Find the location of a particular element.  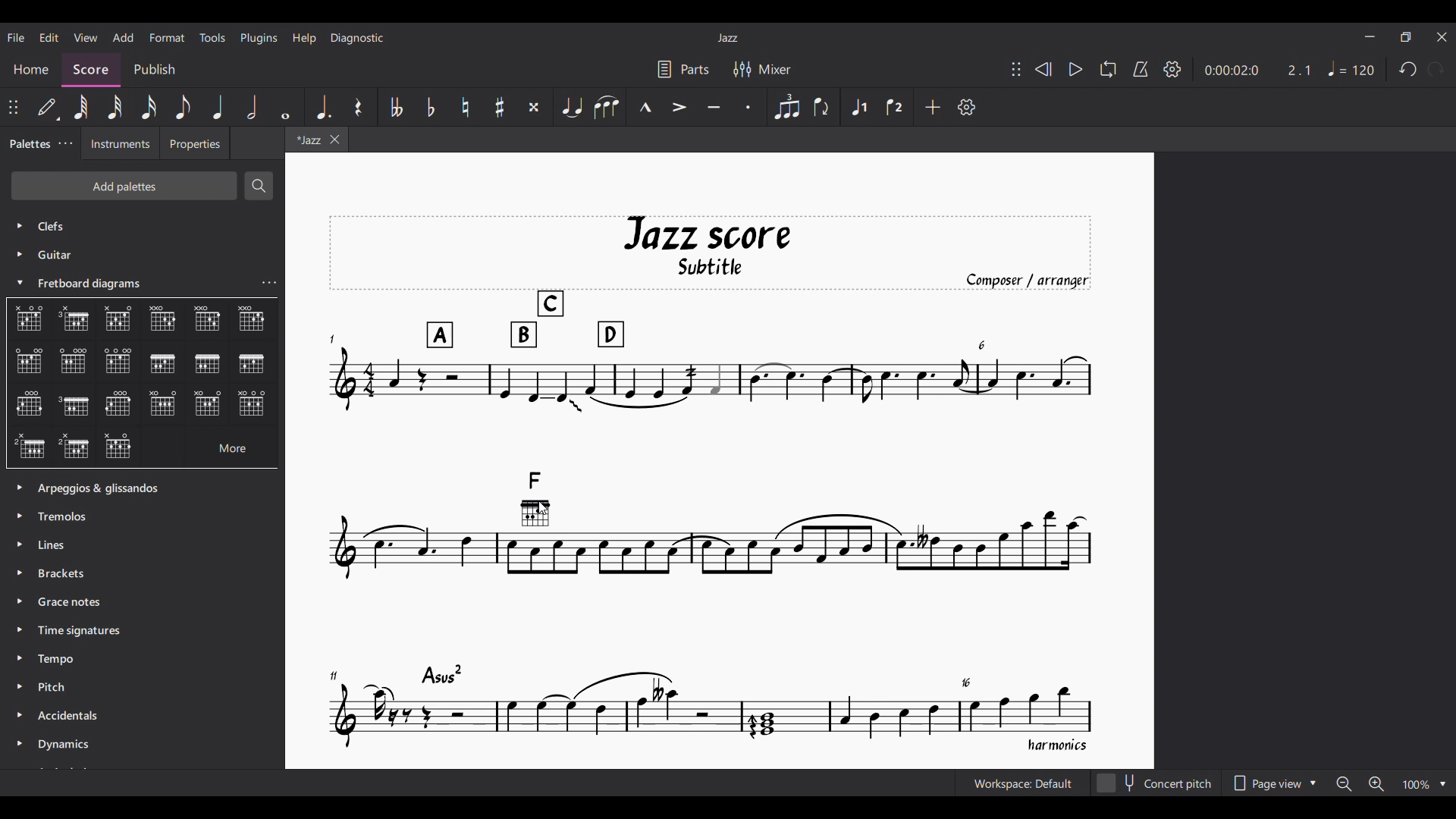

Staccato is located at coordinates (749, 107).